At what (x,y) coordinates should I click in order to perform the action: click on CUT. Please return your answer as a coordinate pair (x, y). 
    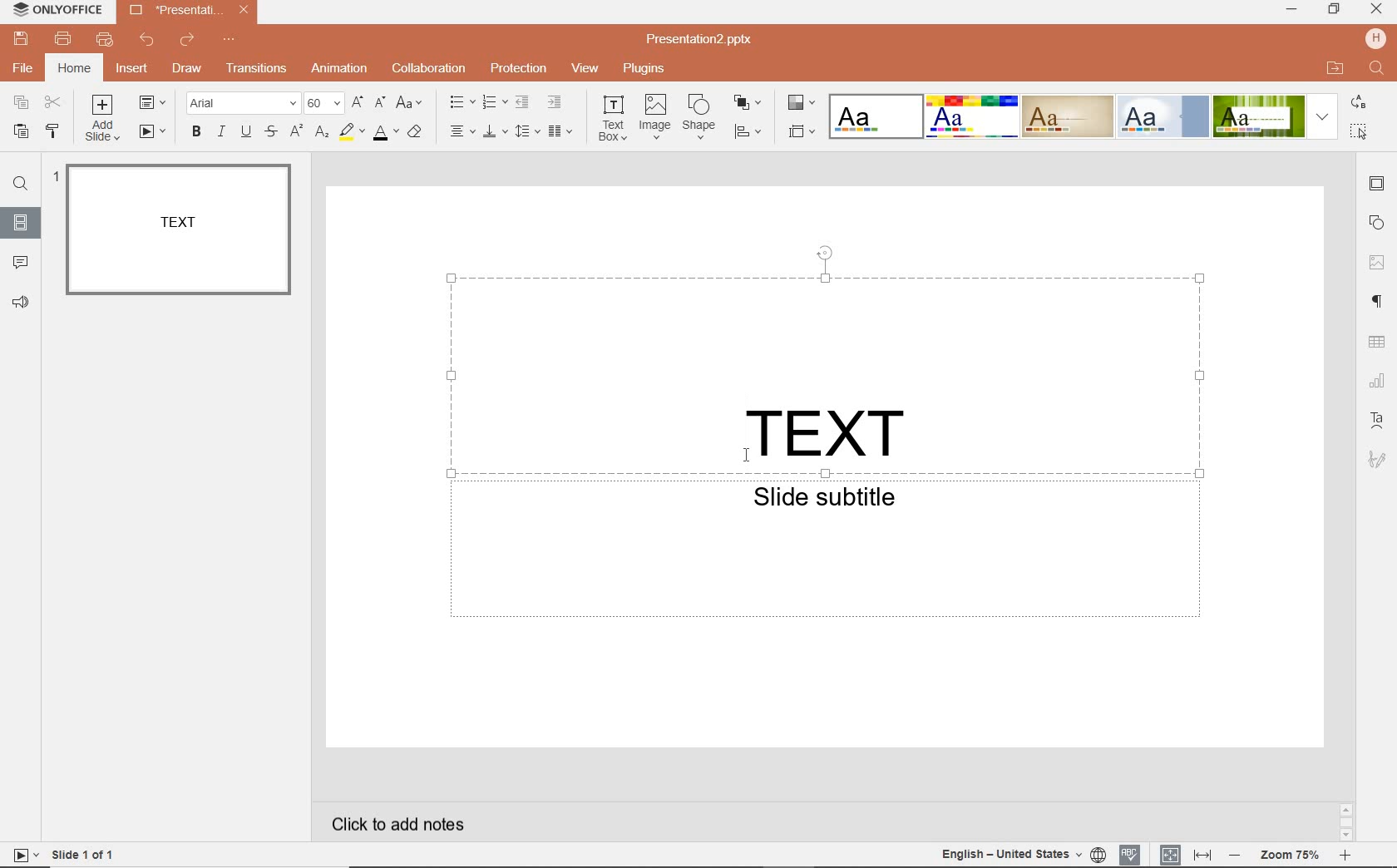
    Looking at the image, I should click on (54, 104).